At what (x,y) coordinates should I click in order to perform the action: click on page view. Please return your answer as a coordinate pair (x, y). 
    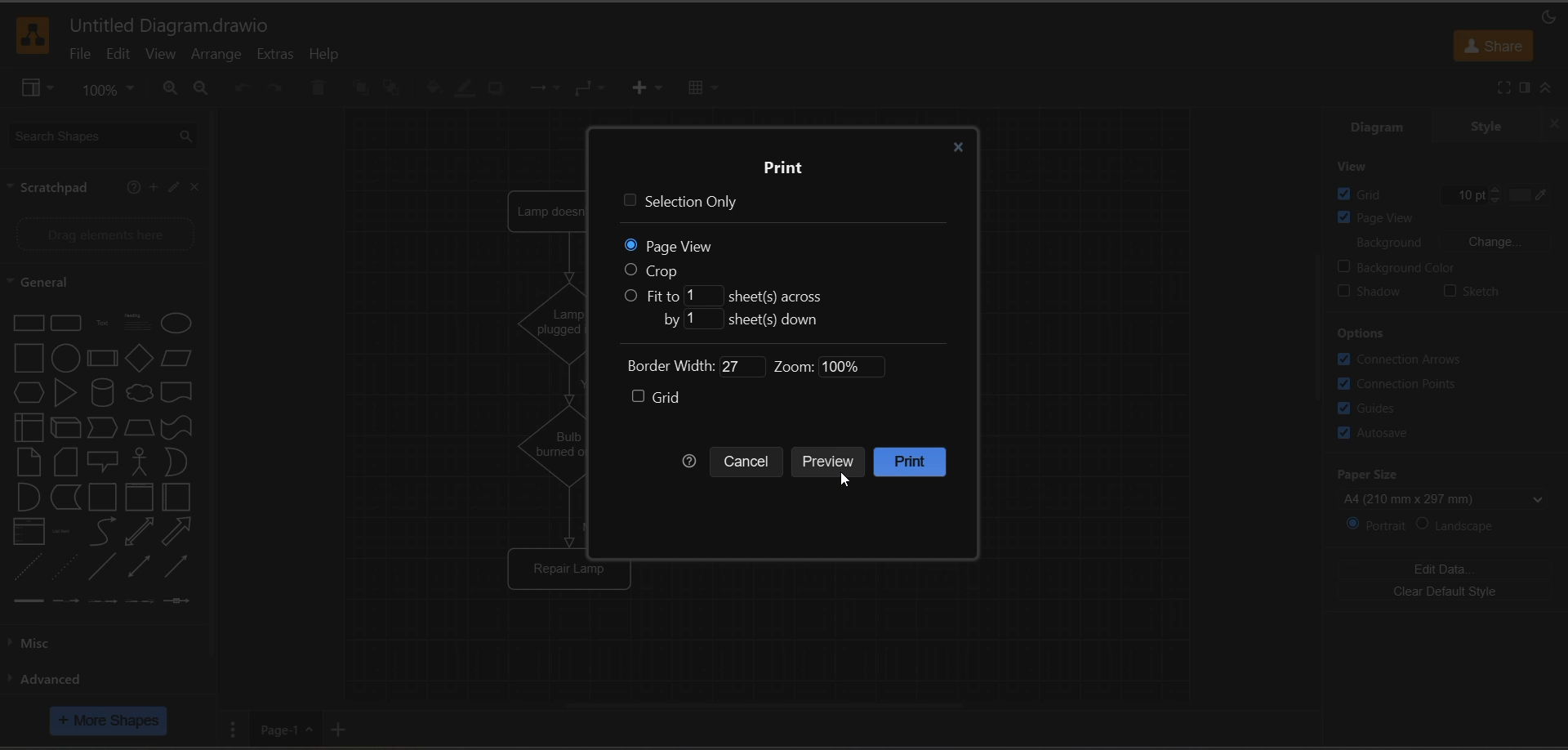
    Looking at the image, I should click on (666, 244).